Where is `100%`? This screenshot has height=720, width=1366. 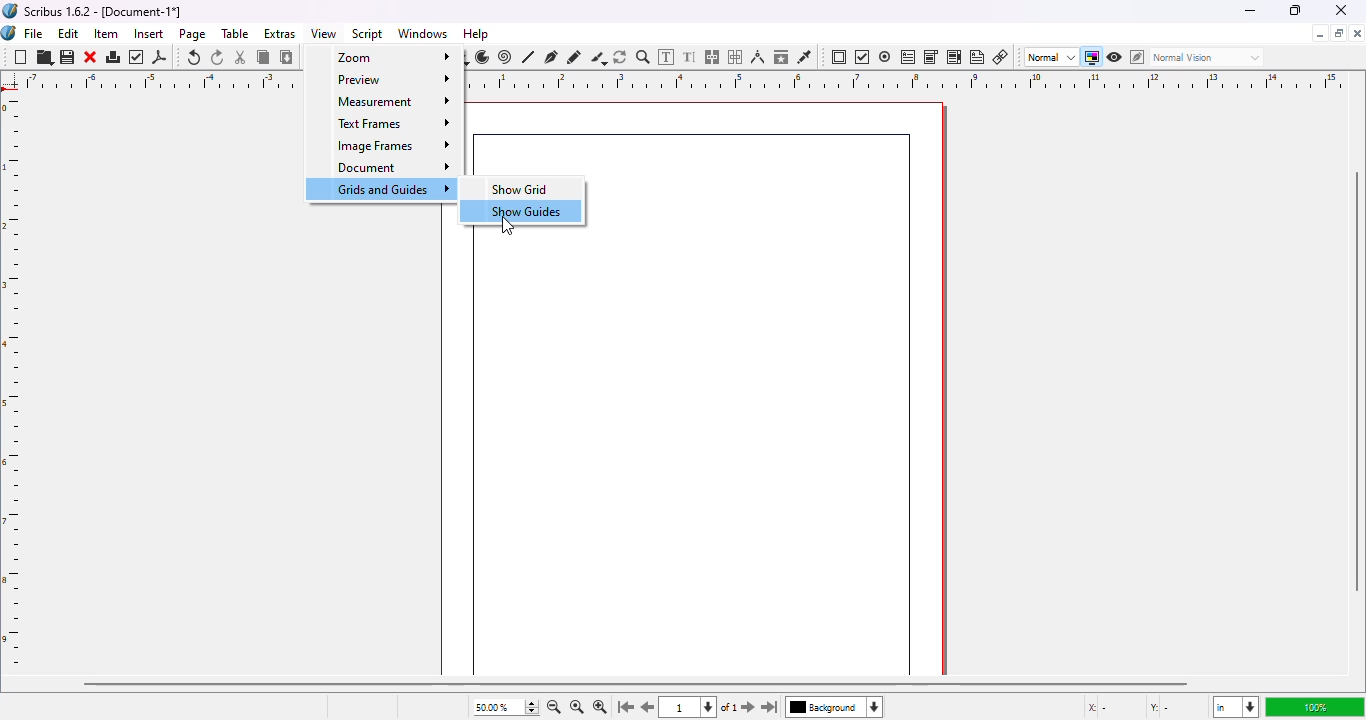 100% is located at coordinates (1311, 707).